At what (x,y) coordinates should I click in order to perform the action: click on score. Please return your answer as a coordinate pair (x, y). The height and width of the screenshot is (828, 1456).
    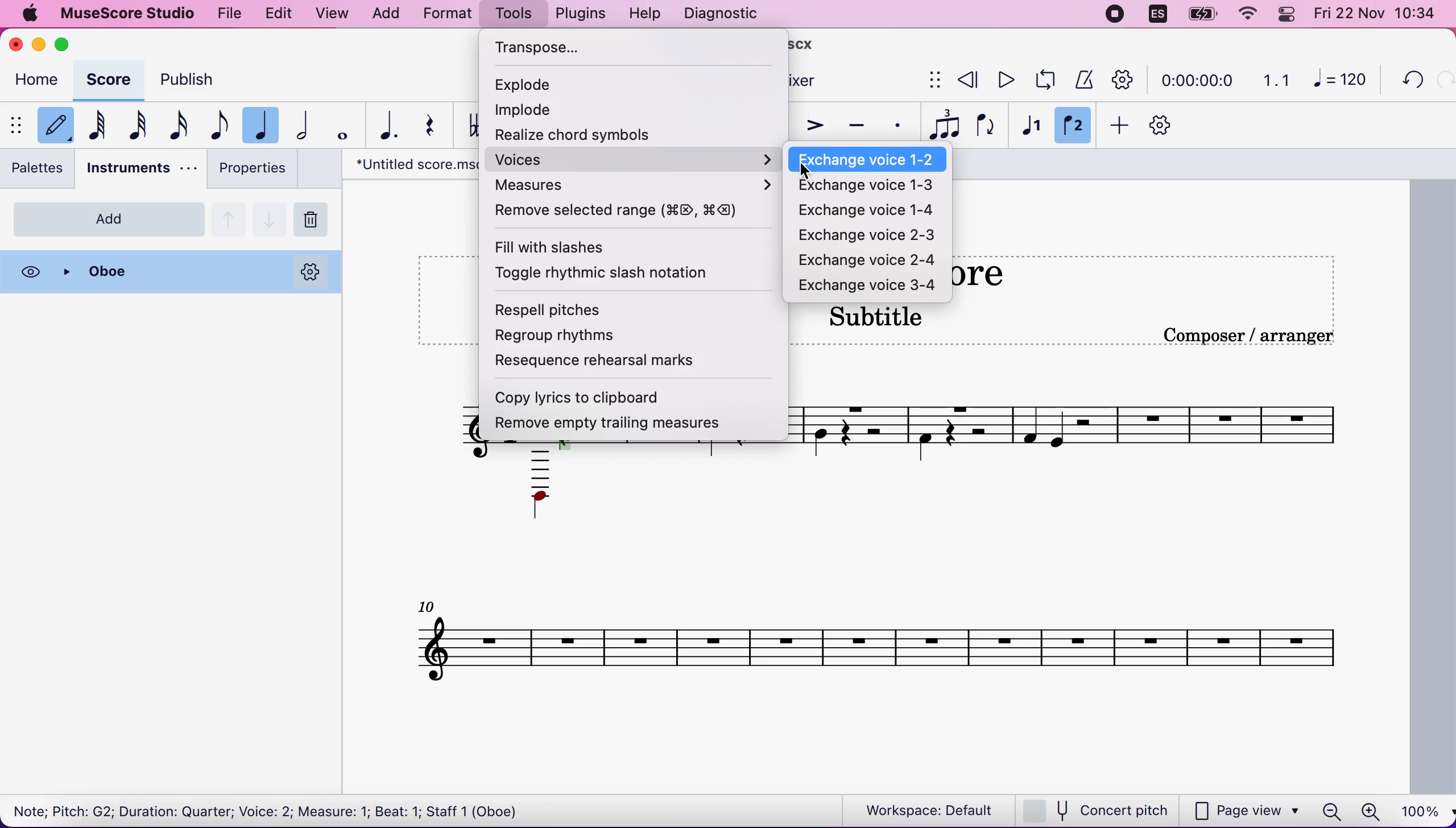
    Looking at the image, I should click on (106, 77).